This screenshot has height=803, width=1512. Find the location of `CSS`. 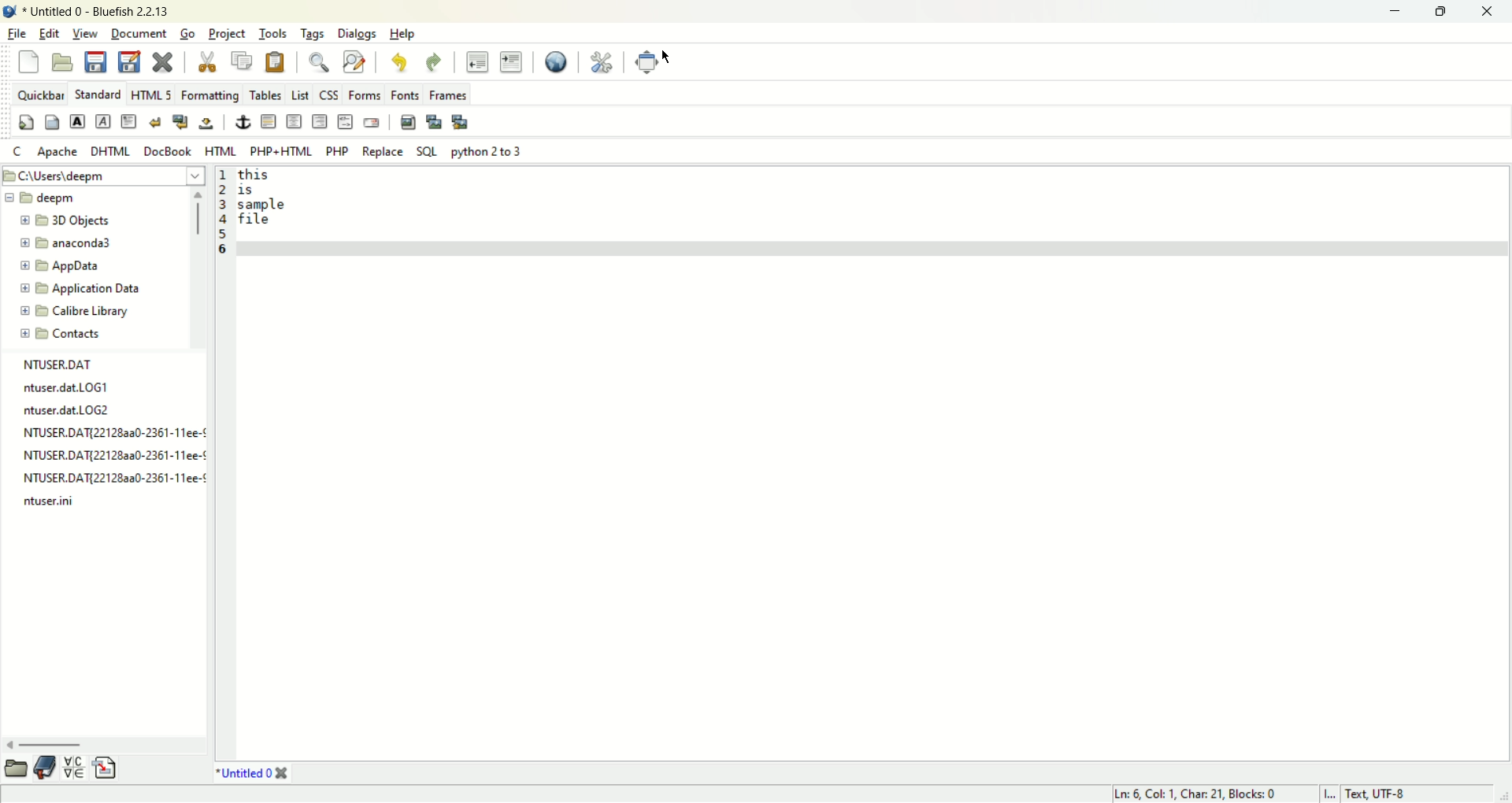

CSS is located at coordinates (331, 94).